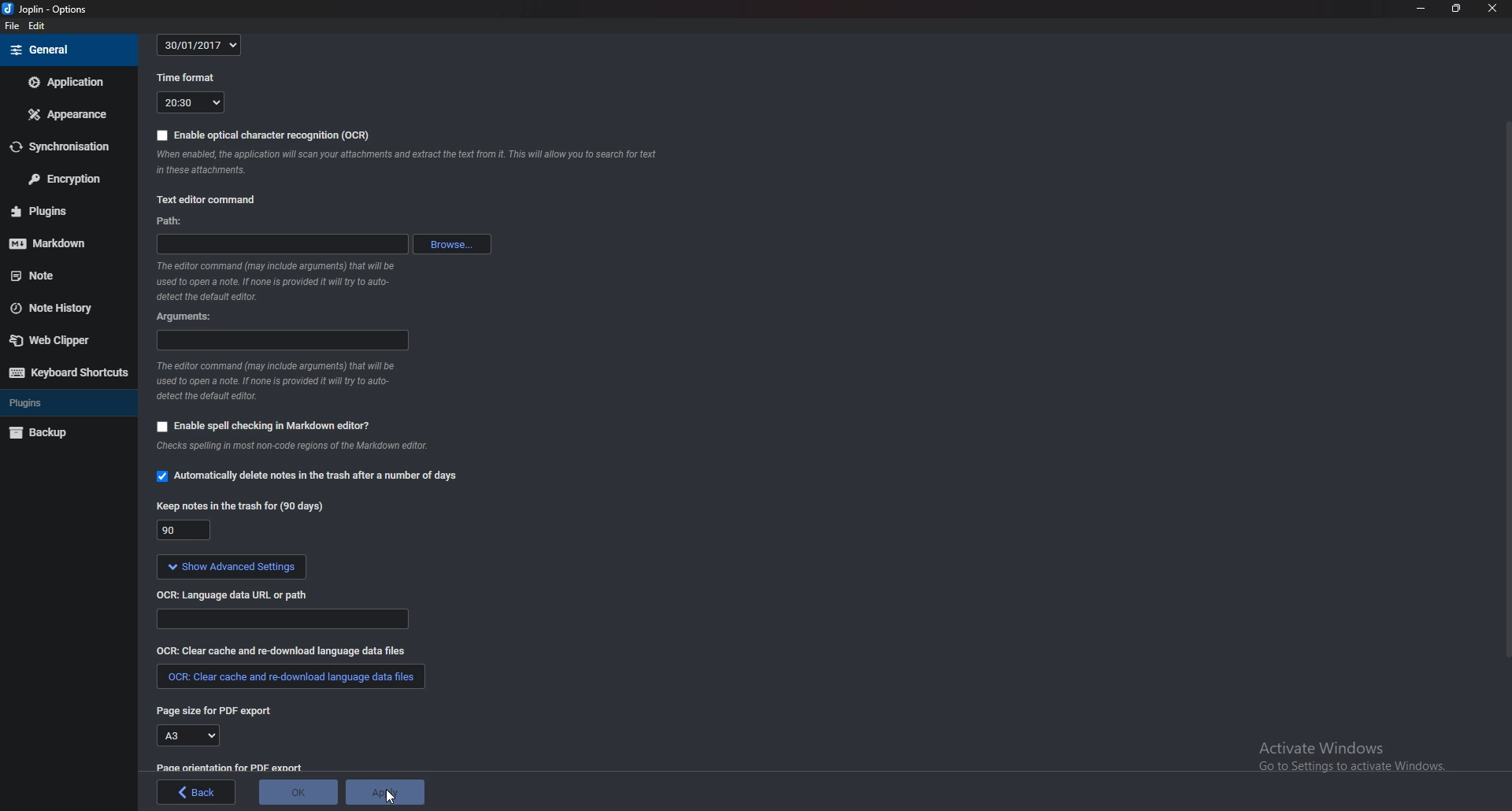  Describe the element at coordinates (299, 791) in the screenshot. I see `ok` at that location.